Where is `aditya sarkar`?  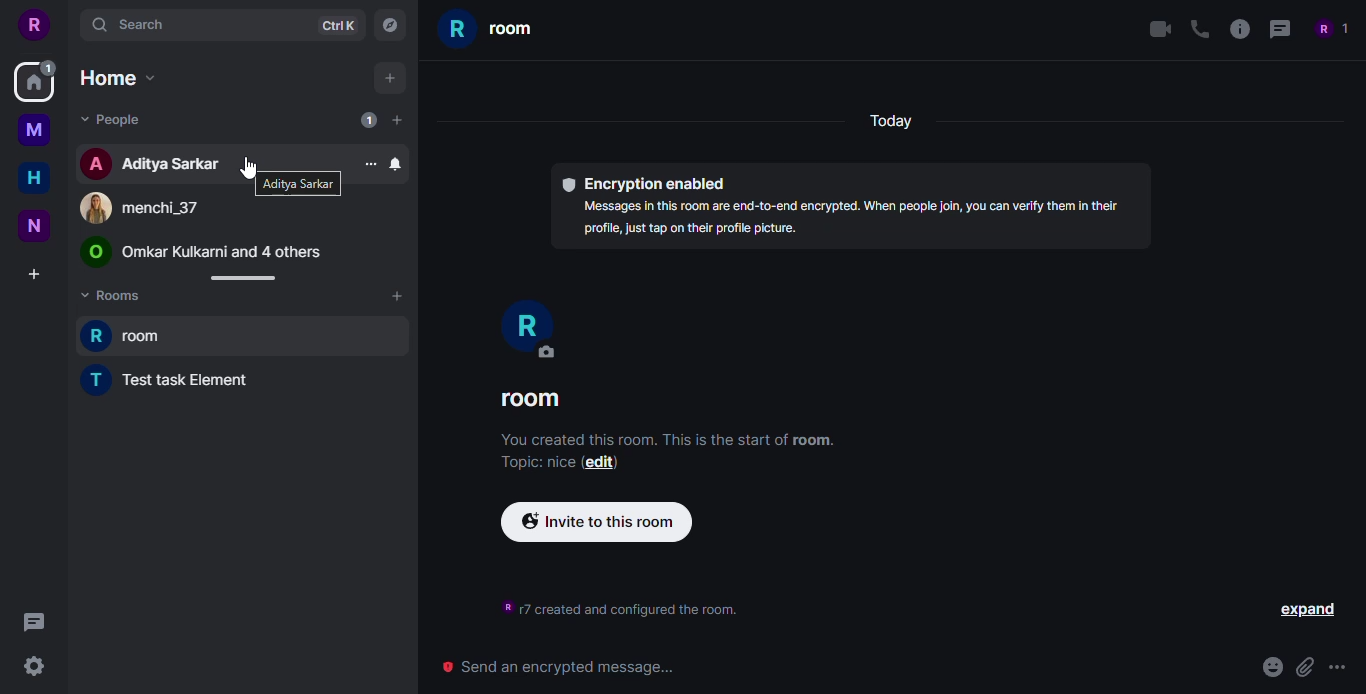
aditya sarkar is located at coordinates (297, 184).